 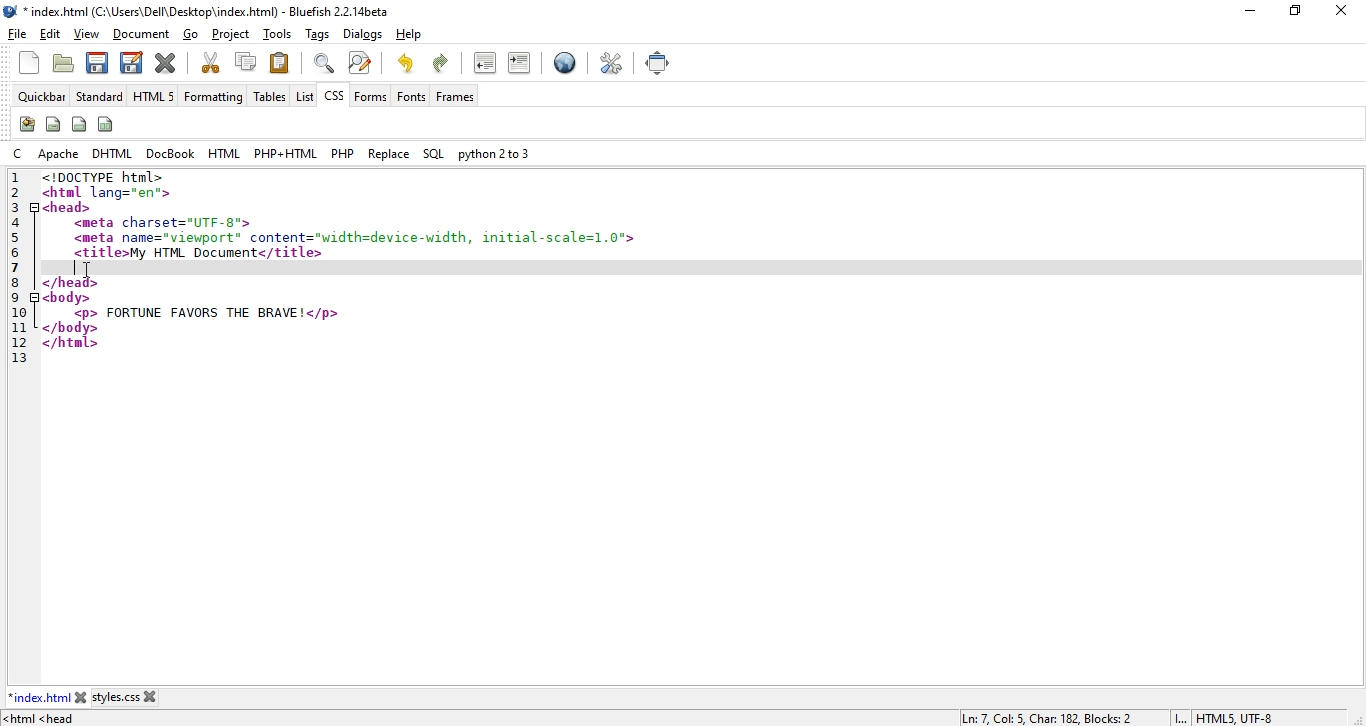 I want to click on <meta name="viewport" content="width=device-width. i1nitial-scale=1.0">, so click(x=356, y=236).